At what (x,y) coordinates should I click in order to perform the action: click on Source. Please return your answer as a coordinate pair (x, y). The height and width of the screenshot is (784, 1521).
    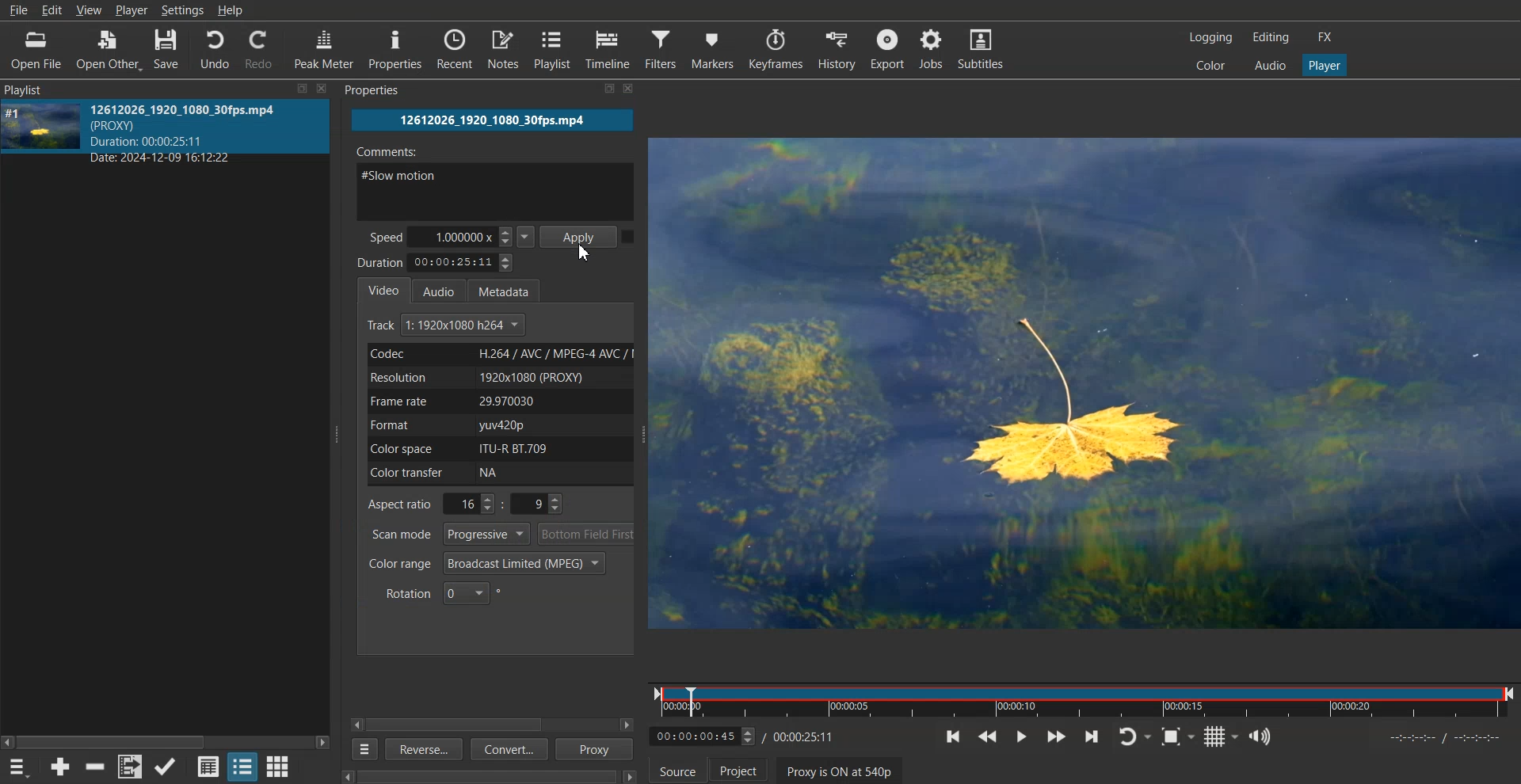
    Looking at the image, I should click on (677, 769).